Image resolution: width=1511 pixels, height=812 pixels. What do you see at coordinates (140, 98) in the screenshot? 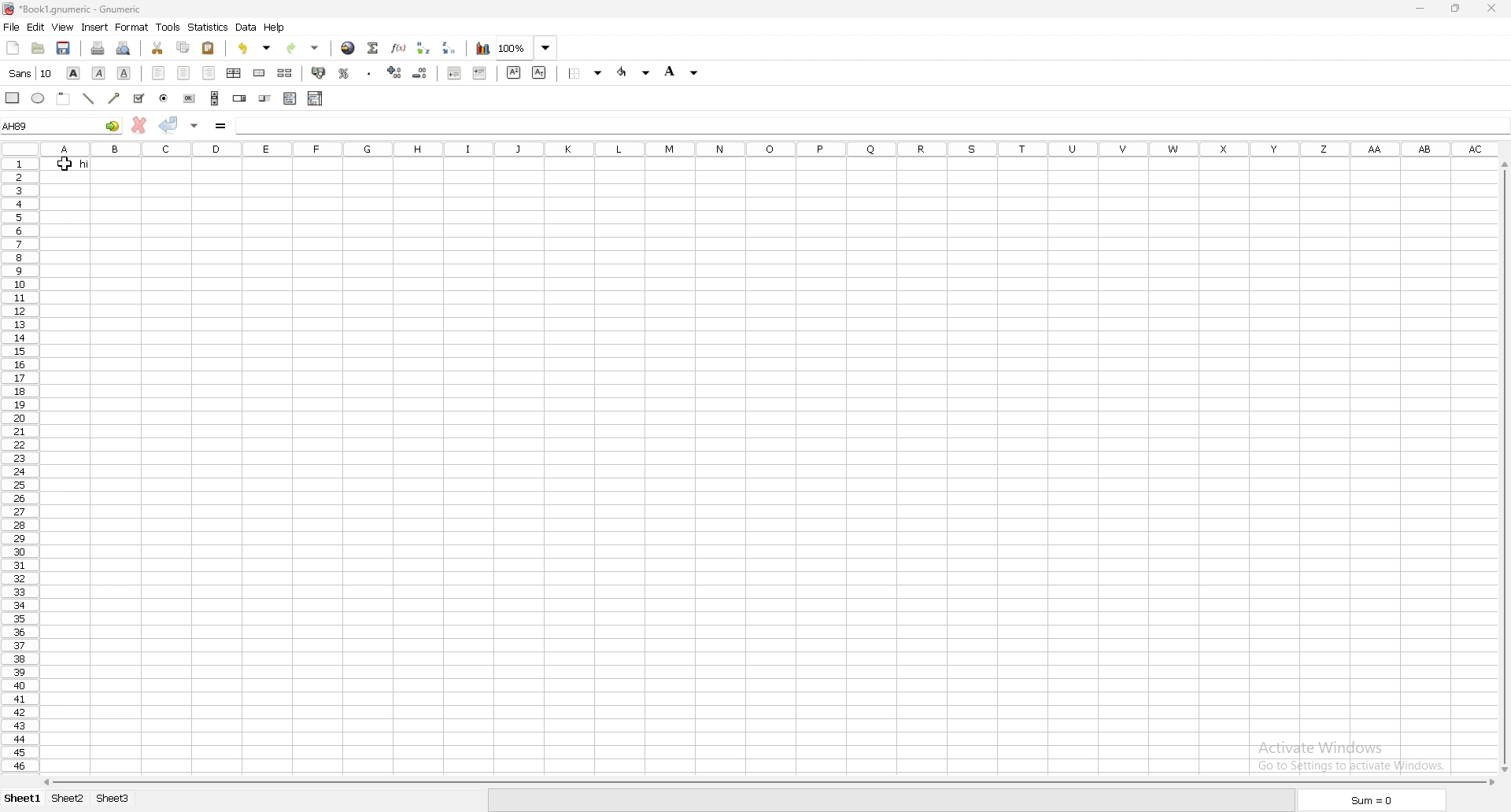
I see `tickbox` at bounding box center [140, 98].